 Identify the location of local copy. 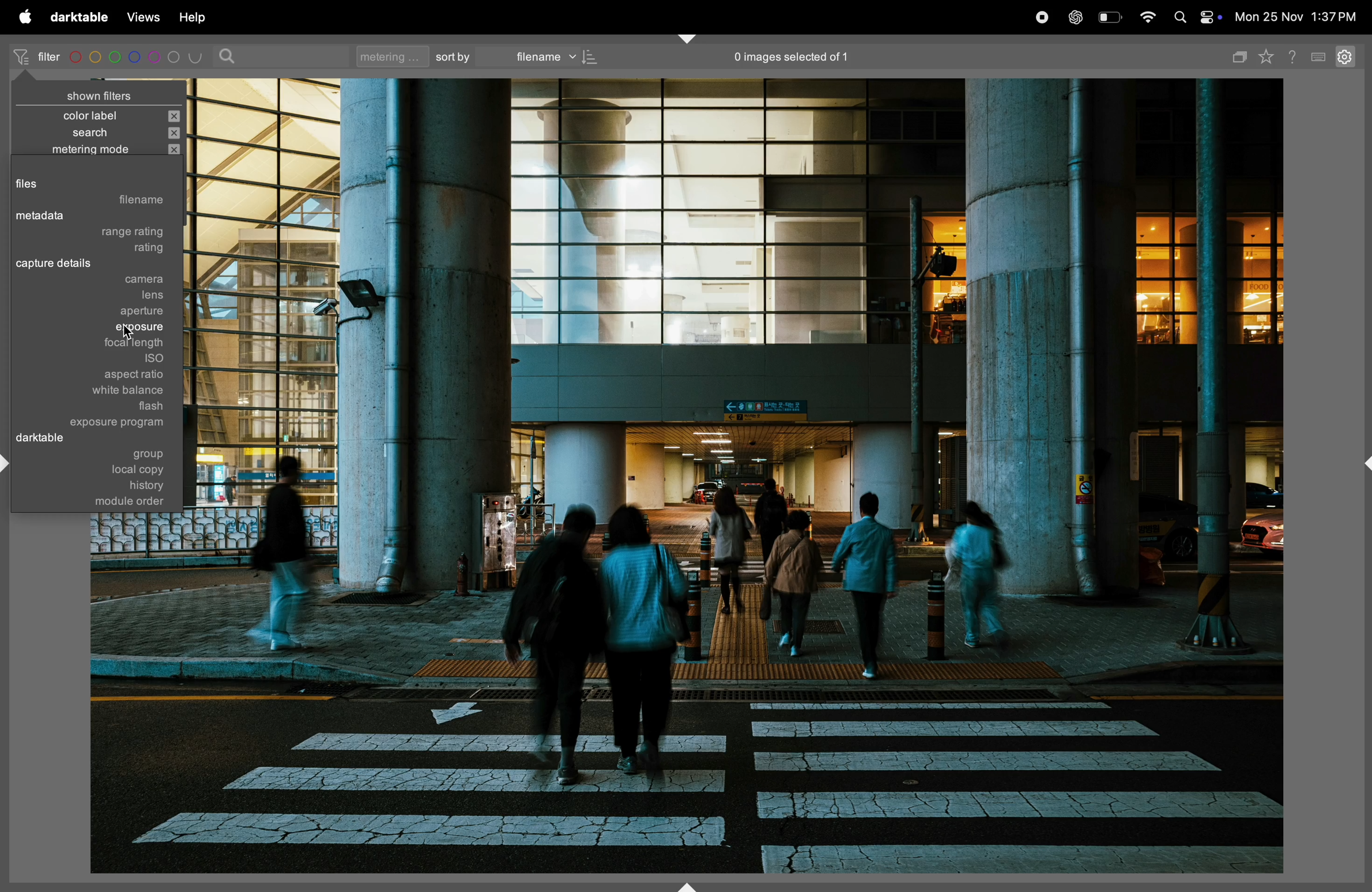
(122, 469).